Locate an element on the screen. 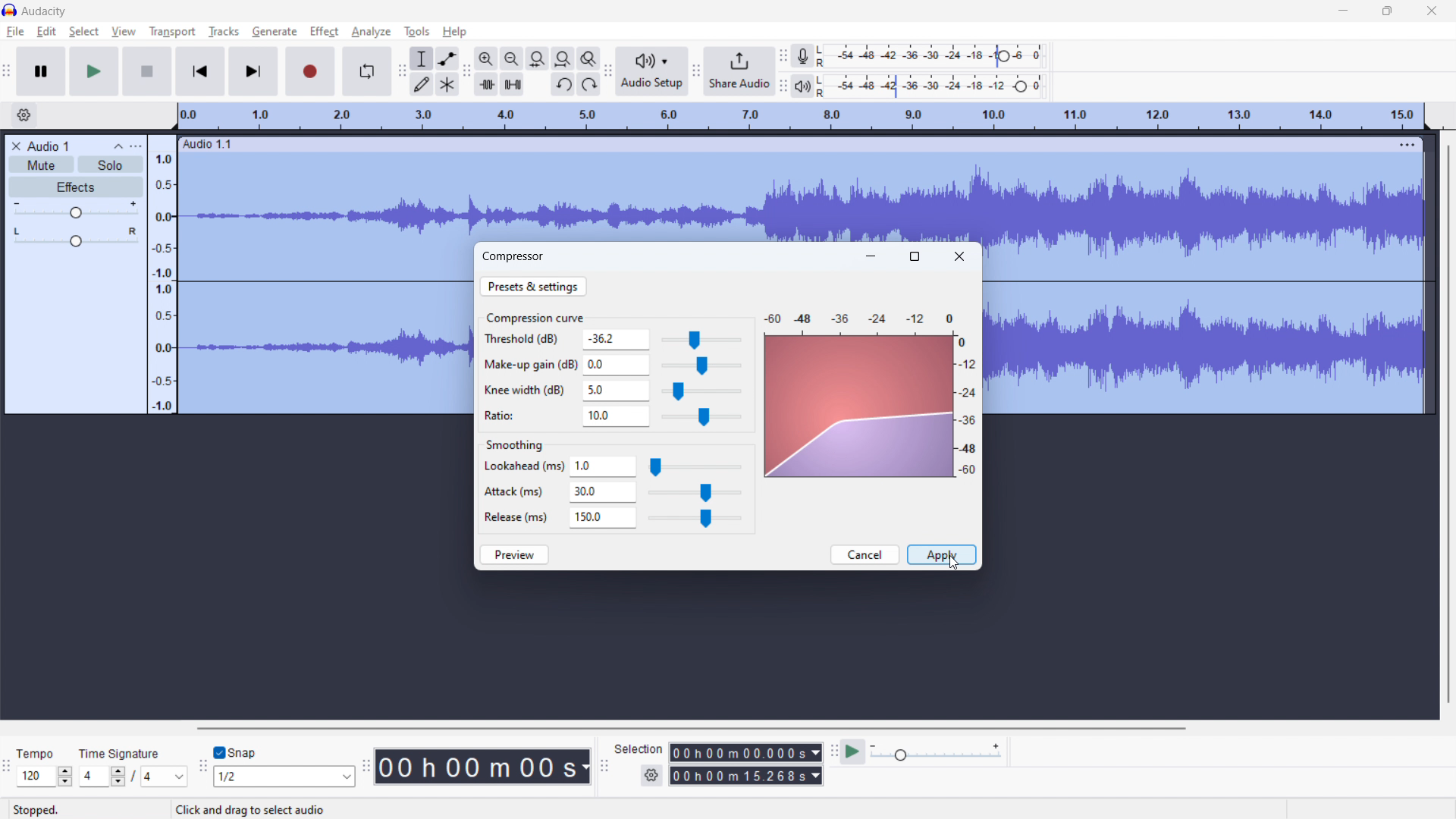  skip to start is located at coordinates (200, 71).